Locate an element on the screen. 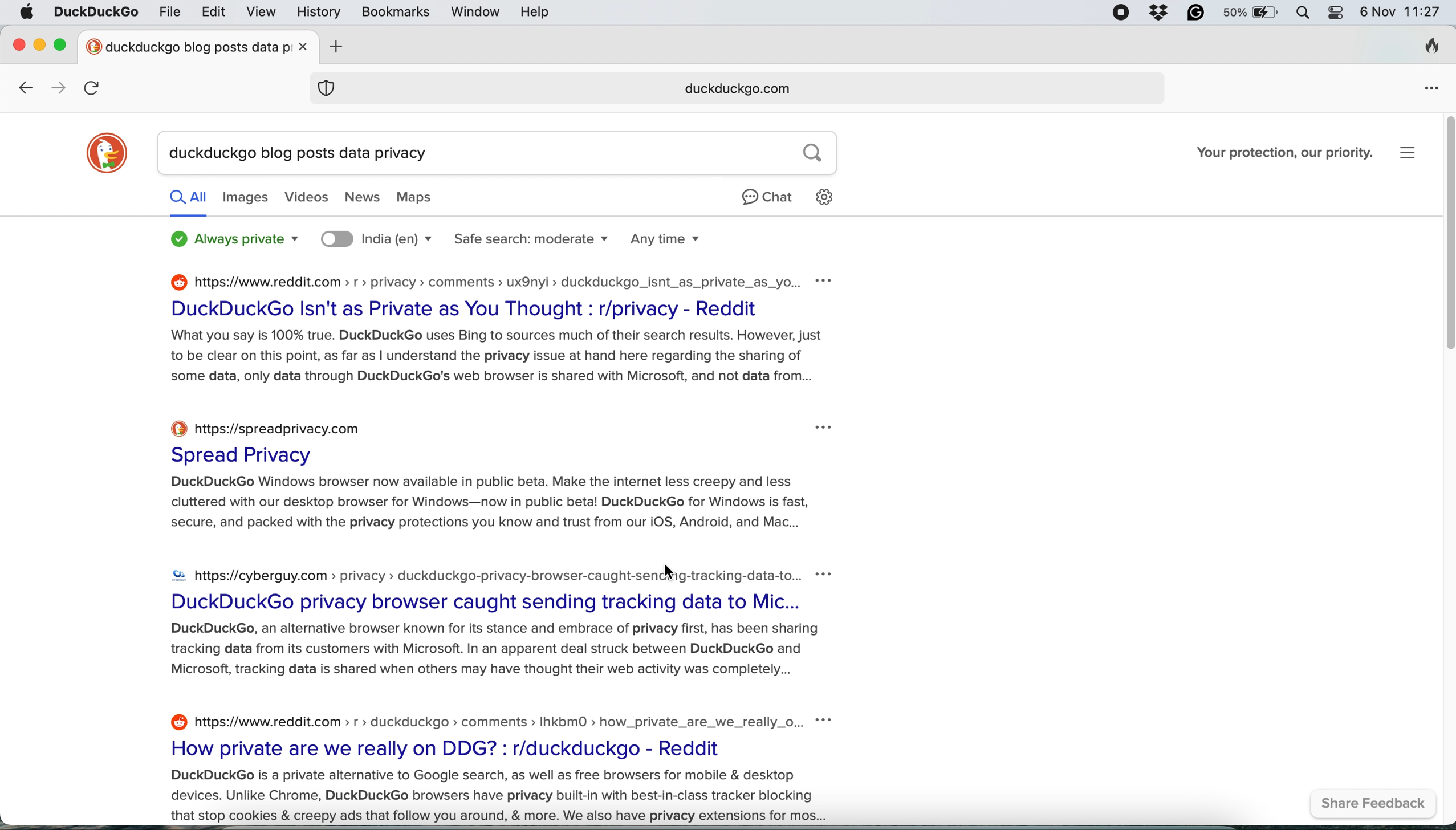  text is located at coordinates (231, 238).